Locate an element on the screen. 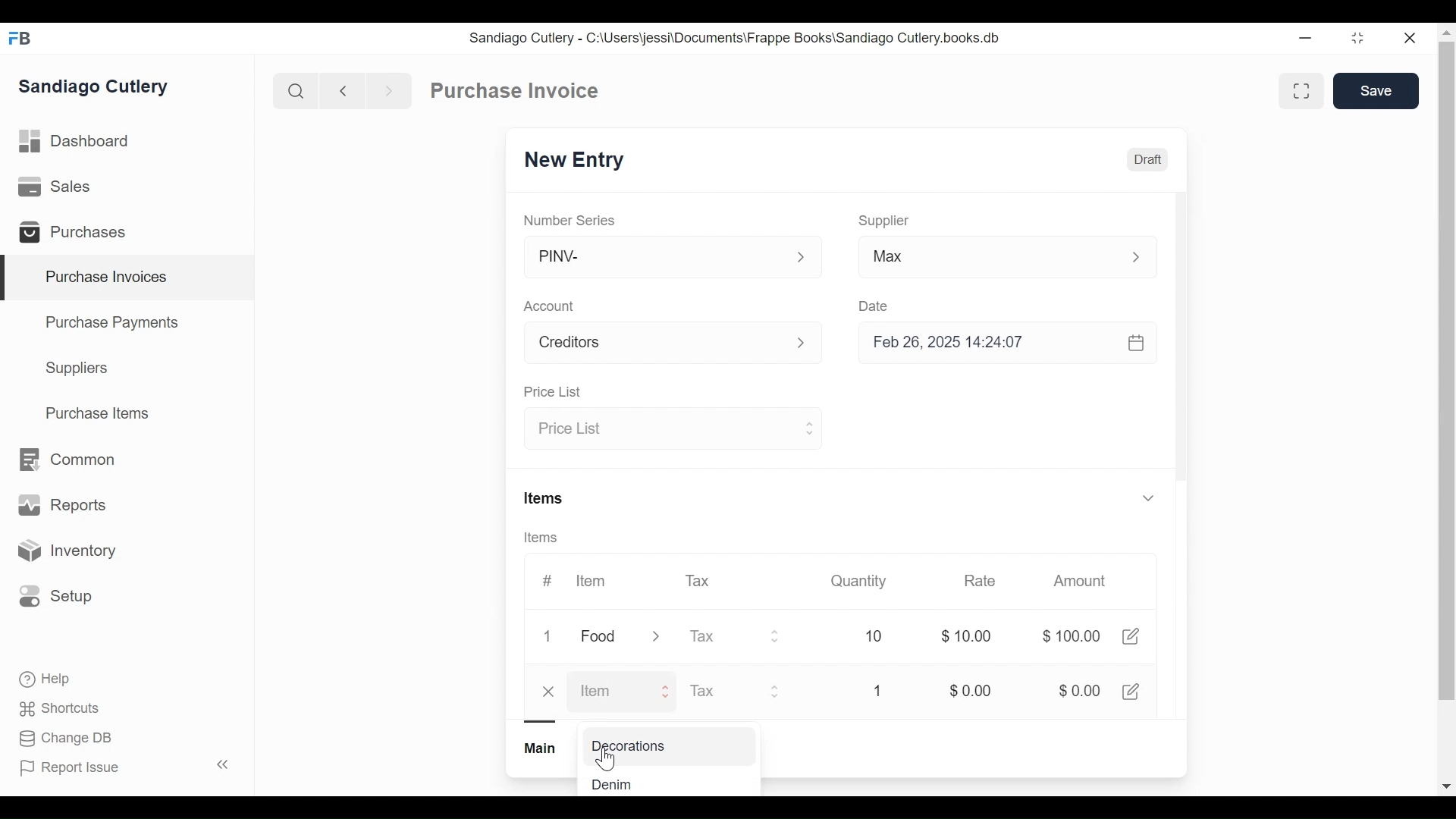 This screenshot has height=819, width=1456. Inventory is located at coordinates (65, 551).